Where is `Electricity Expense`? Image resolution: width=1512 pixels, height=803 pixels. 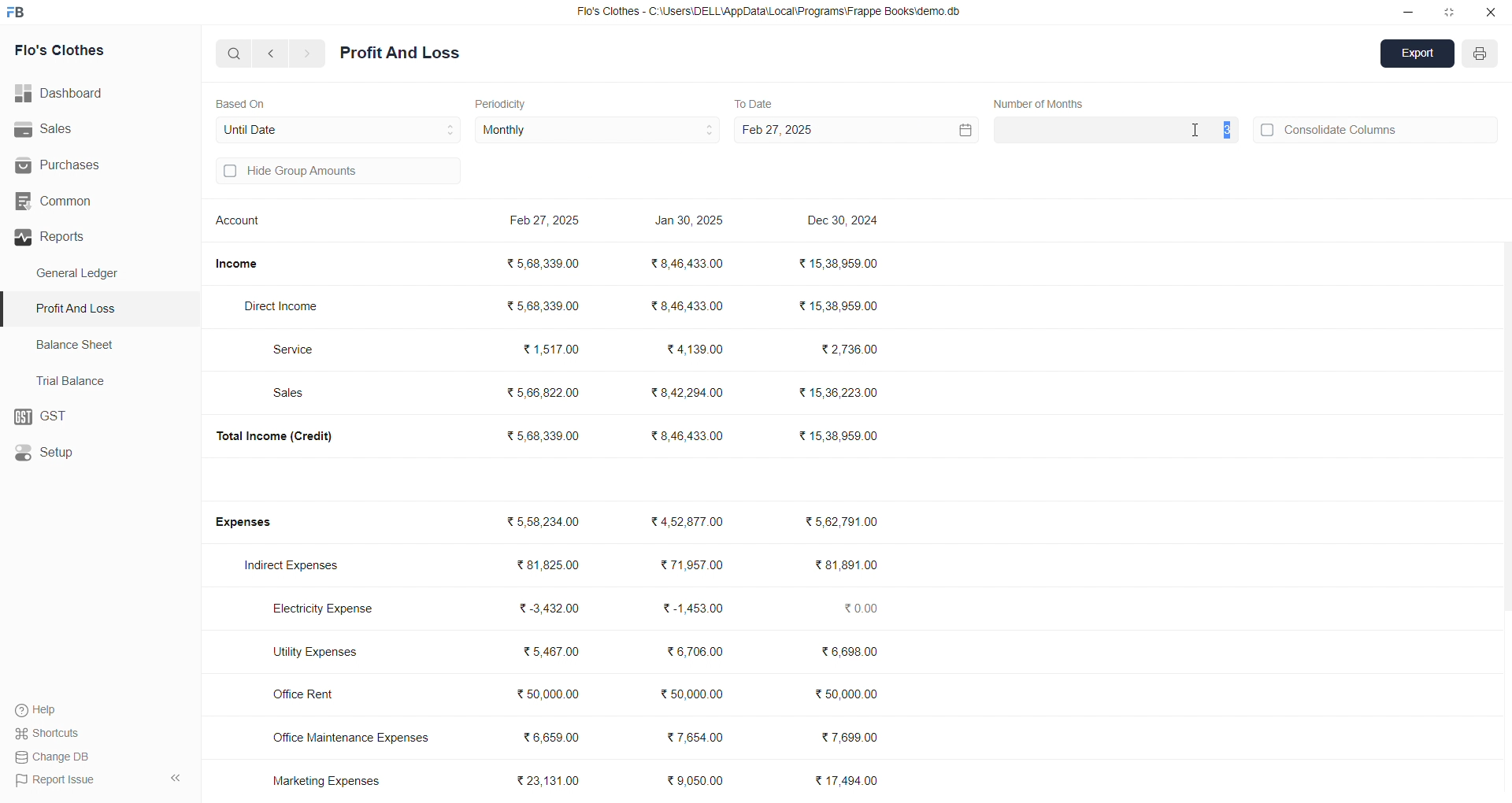
Electricity Expense is located at coordinates (328, 610).